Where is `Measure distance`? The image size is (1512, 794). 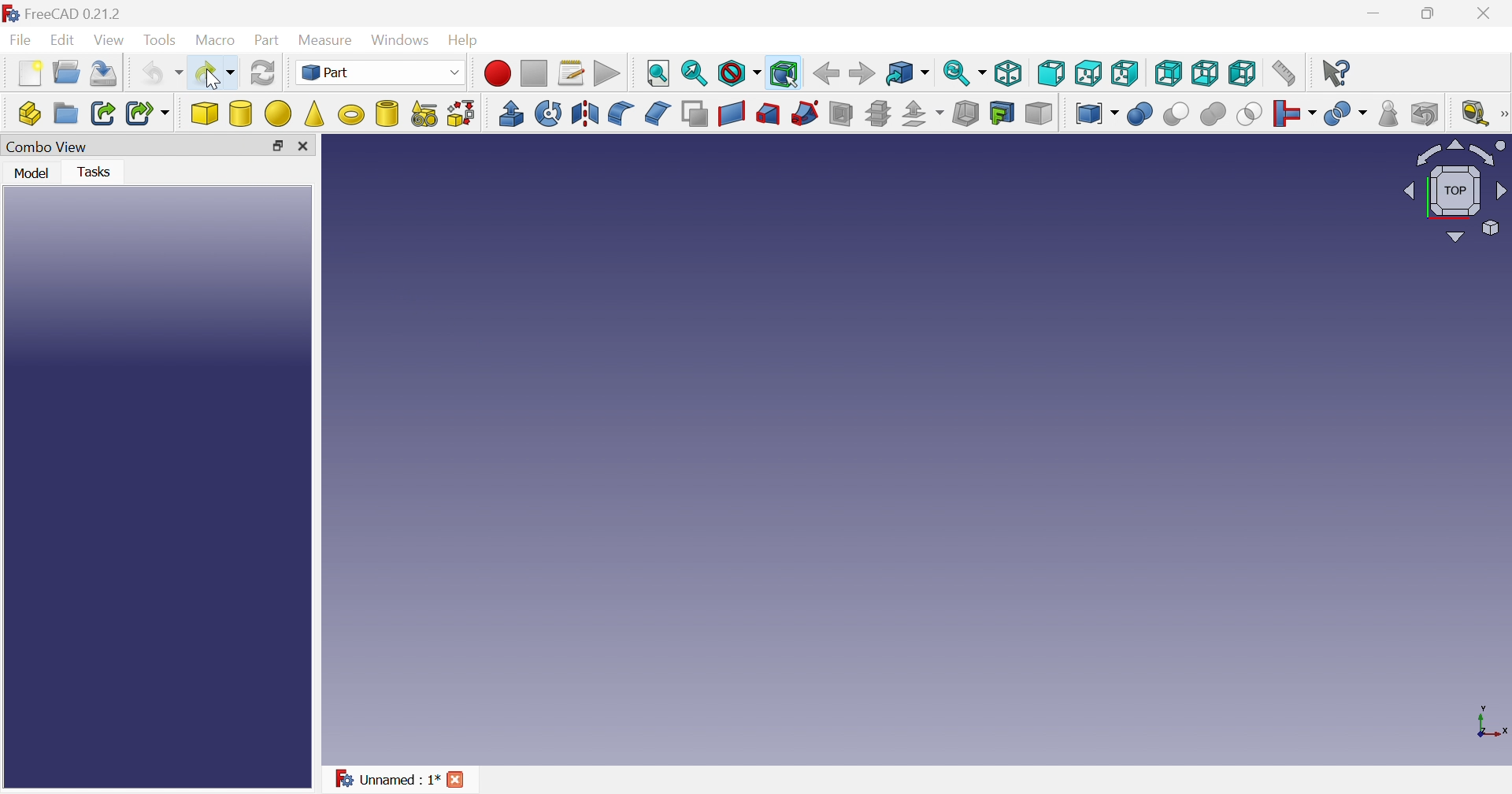 Measure distance is located at coordinates (1285, 73).